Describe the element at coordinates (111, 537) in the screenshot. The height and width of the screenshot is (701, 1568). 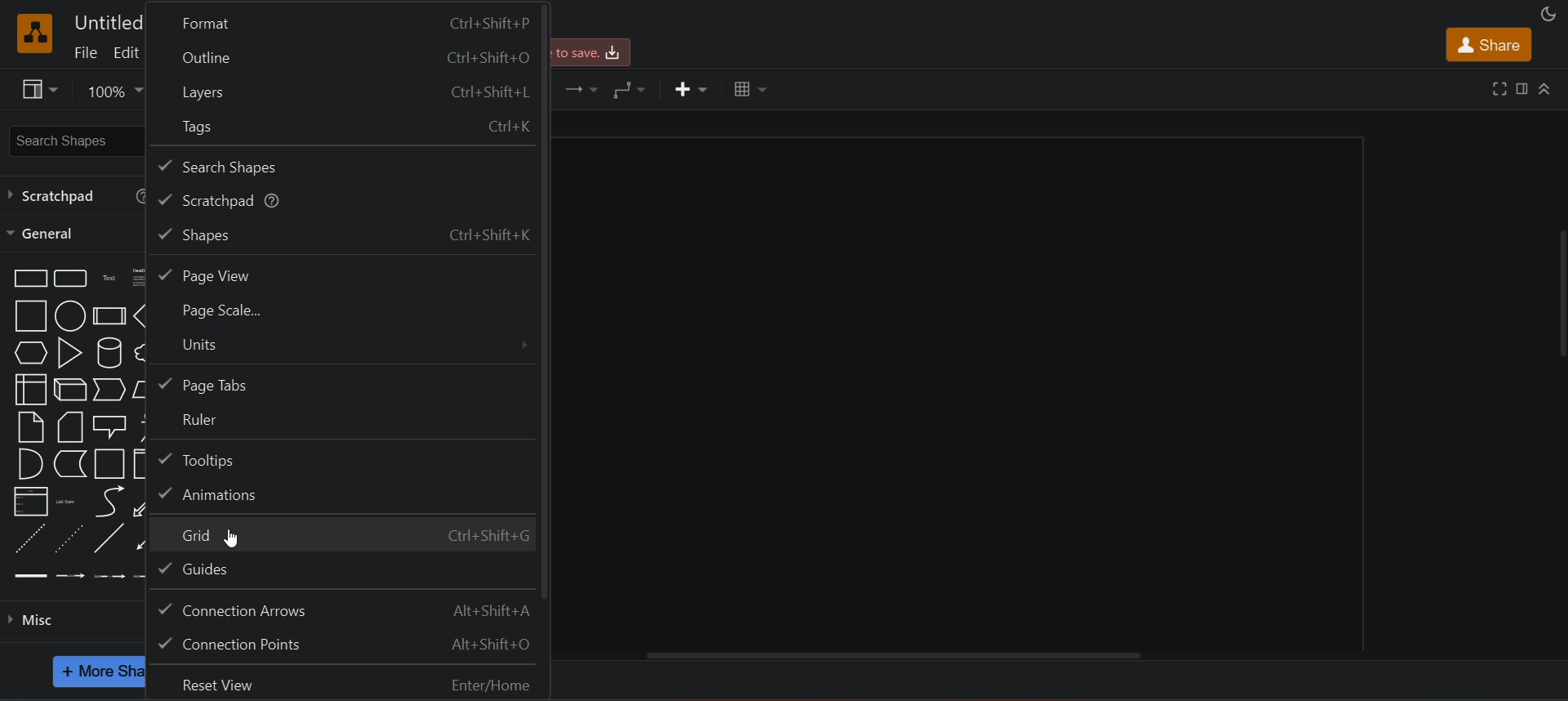
I see `line` at that location.